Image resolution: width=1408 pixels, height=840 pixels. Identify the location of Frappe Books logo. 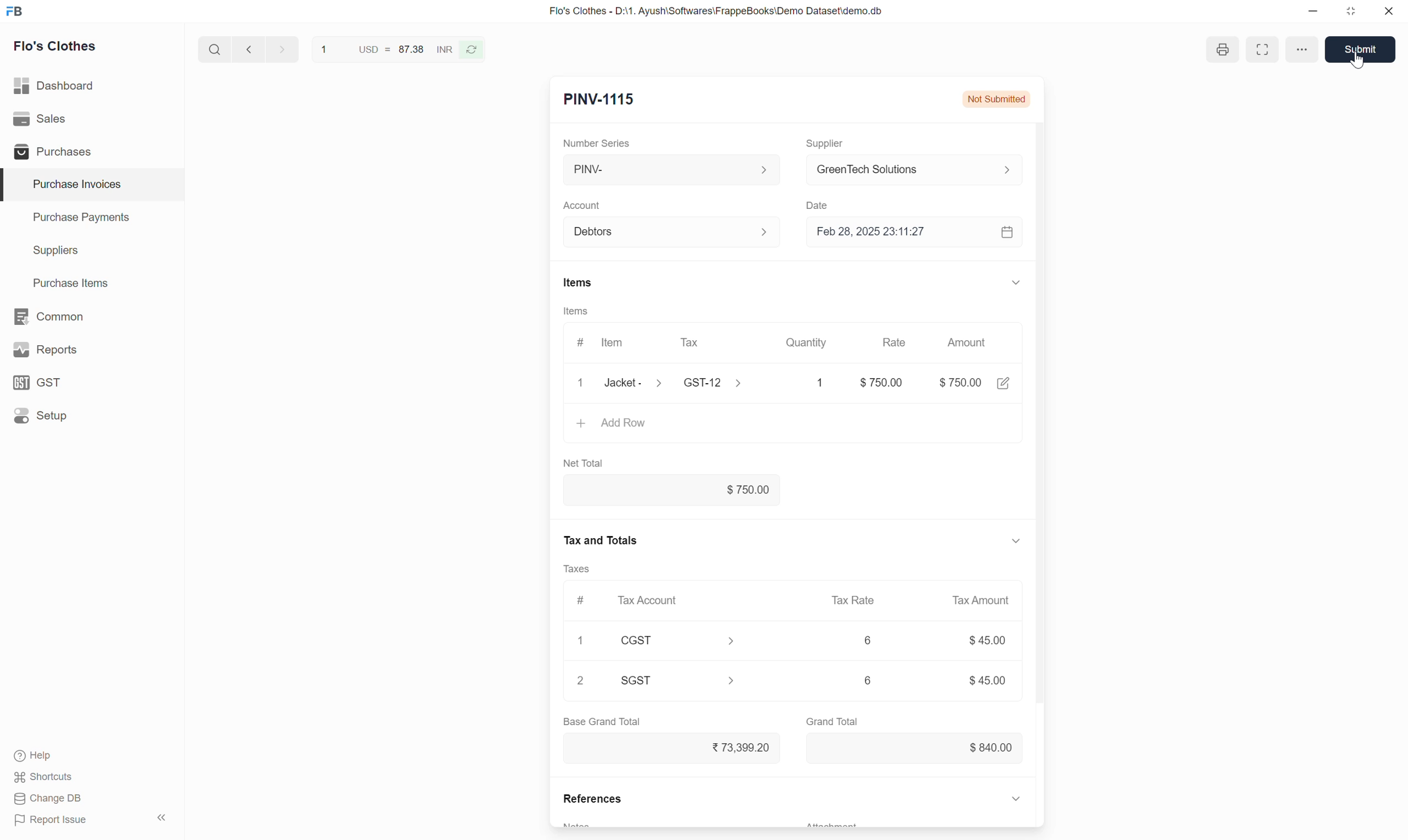
(14, 11).